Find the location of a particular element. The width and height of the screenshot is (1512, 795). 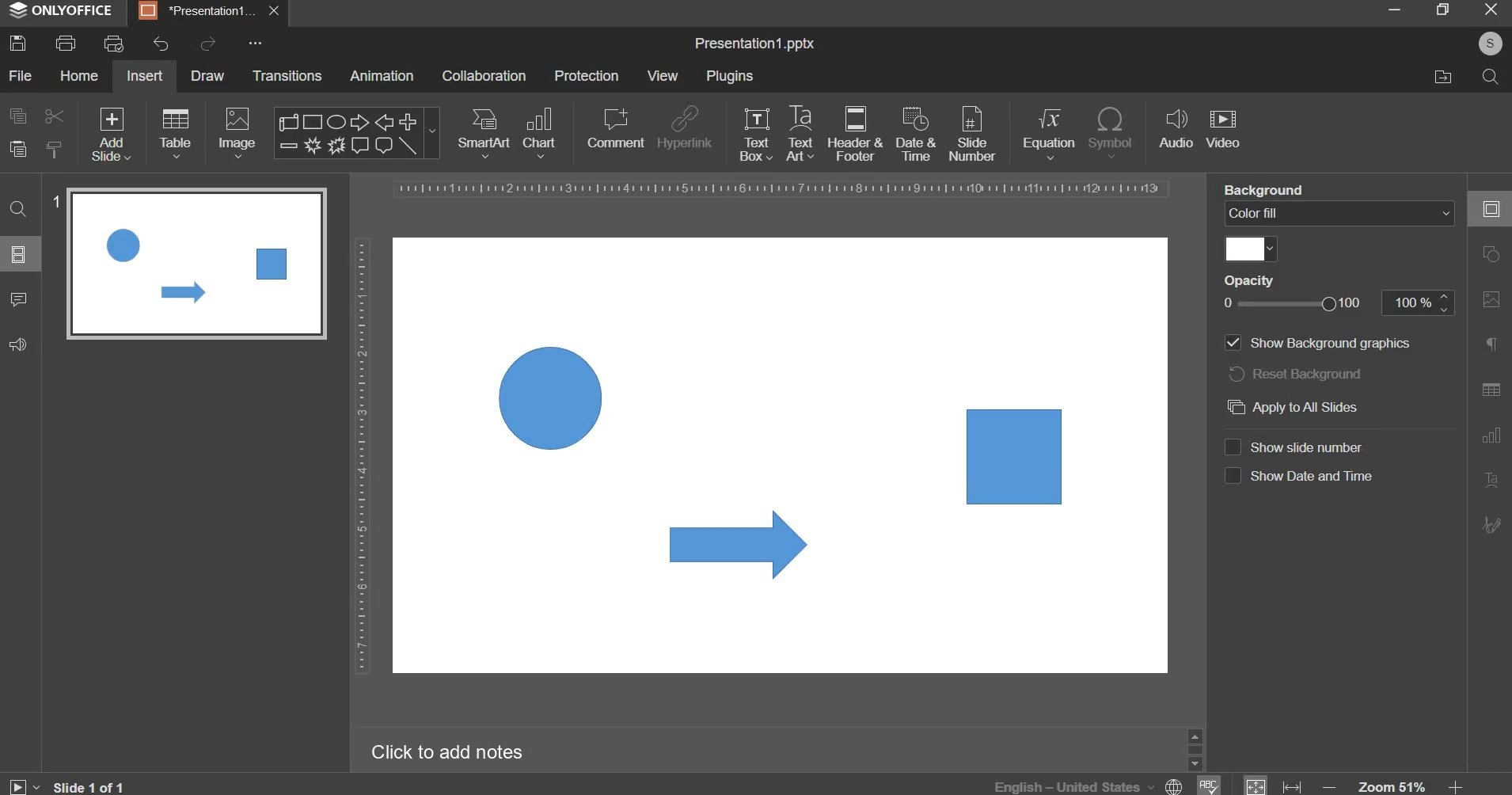

add slide is located at coordinates (112, 135).